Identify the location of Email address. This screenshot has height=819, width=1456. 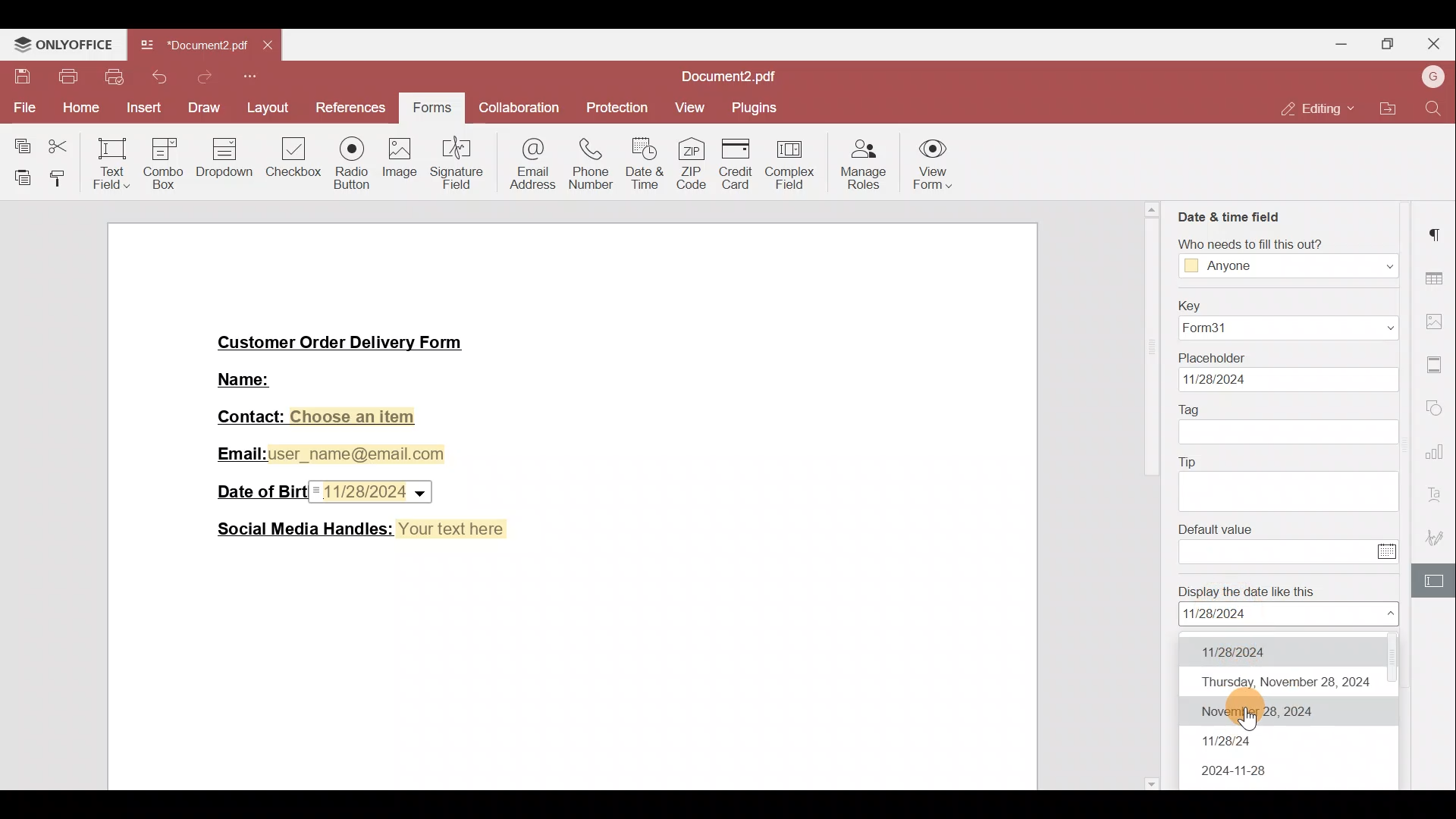
(531, 162).